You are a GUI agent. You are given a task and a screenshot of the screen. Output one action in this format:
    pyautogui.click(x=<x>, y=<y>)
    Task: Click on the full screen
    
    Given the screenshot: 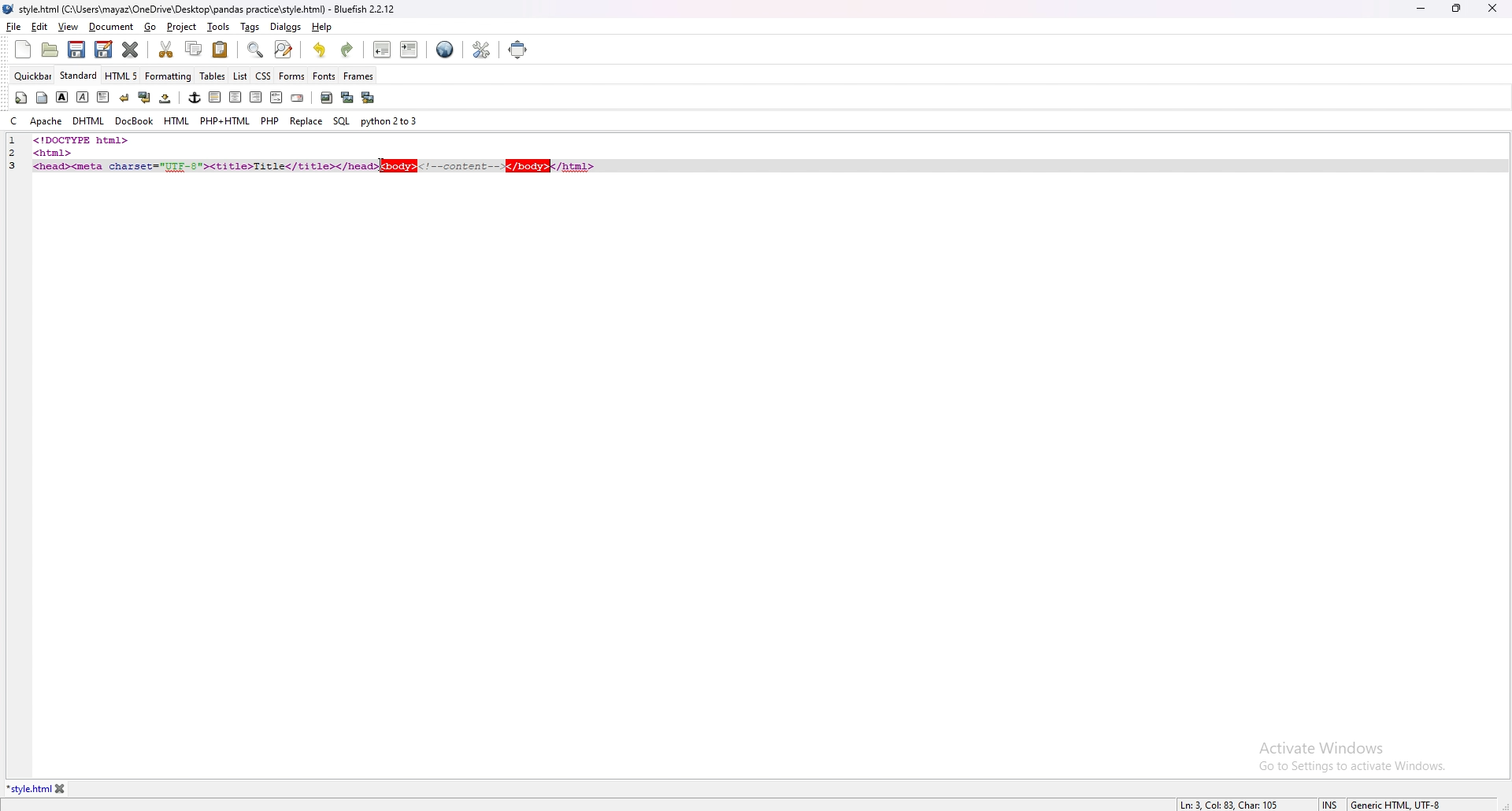 What is the action you would take?
    pyautogui.click(x=520, y=49)
    